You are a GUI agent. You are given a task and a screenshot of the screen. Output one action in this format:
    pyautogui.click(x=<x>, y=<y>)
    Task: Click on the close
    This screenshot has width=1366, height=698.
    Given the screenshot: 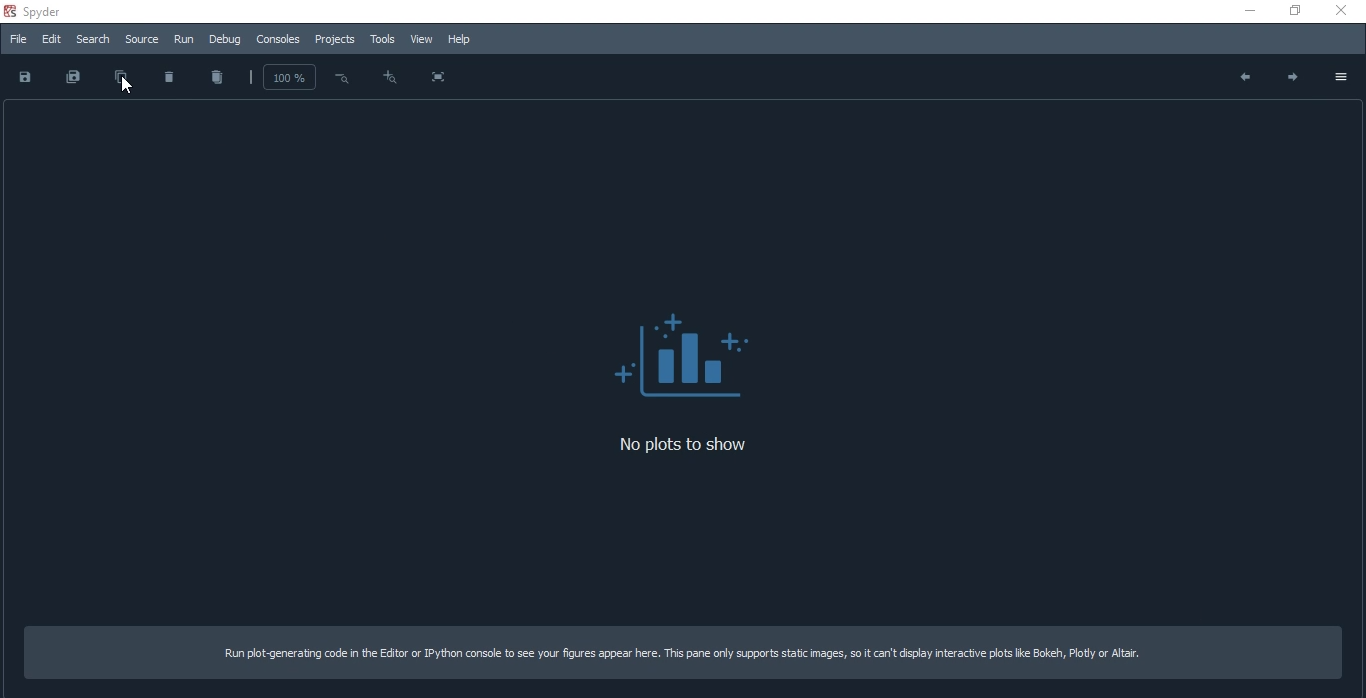 What is the action you would take?
    pyautogui.click(x=1337, y=10)
    